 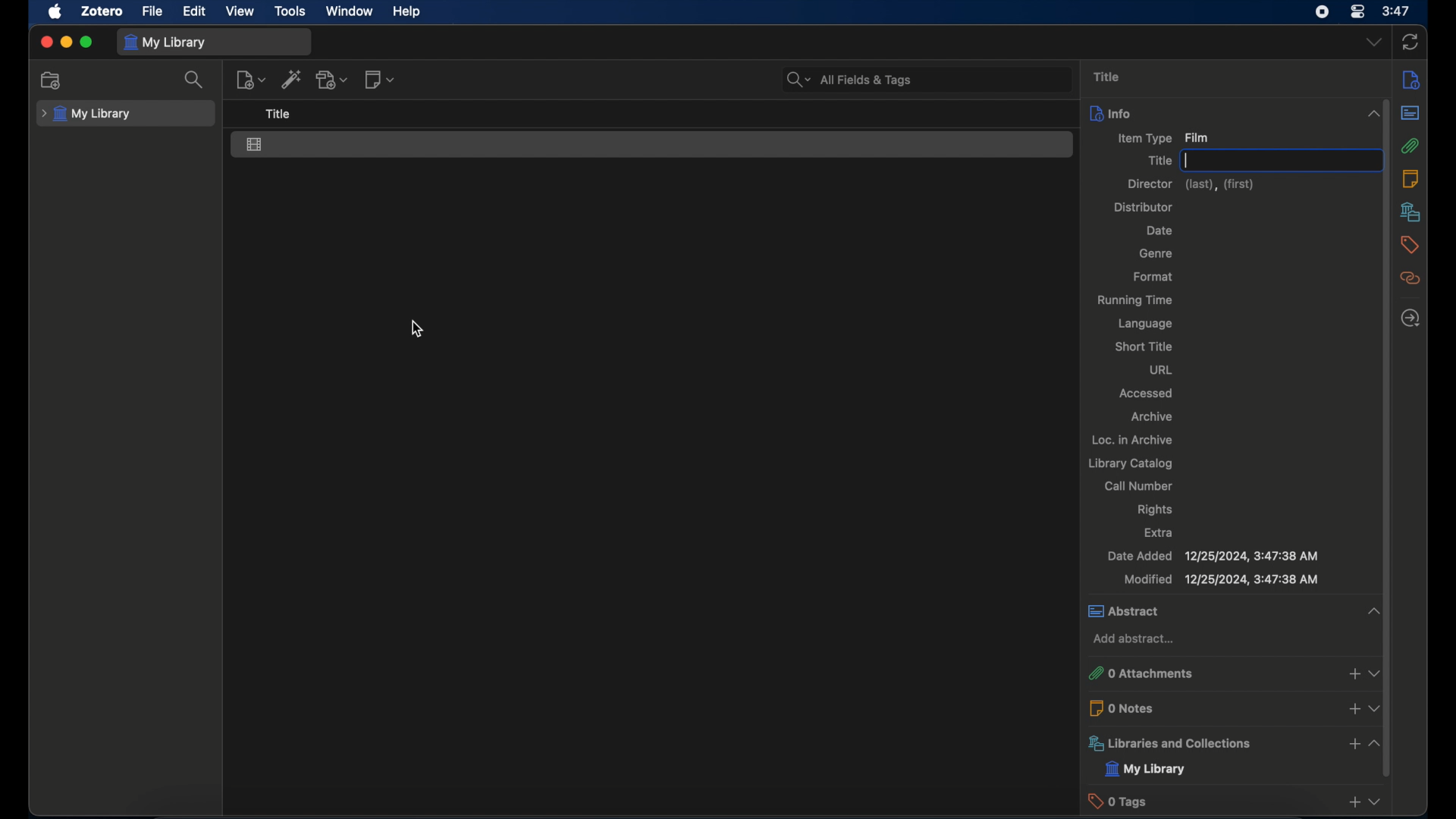 I want to click on date, so click(x=1159, y=230).